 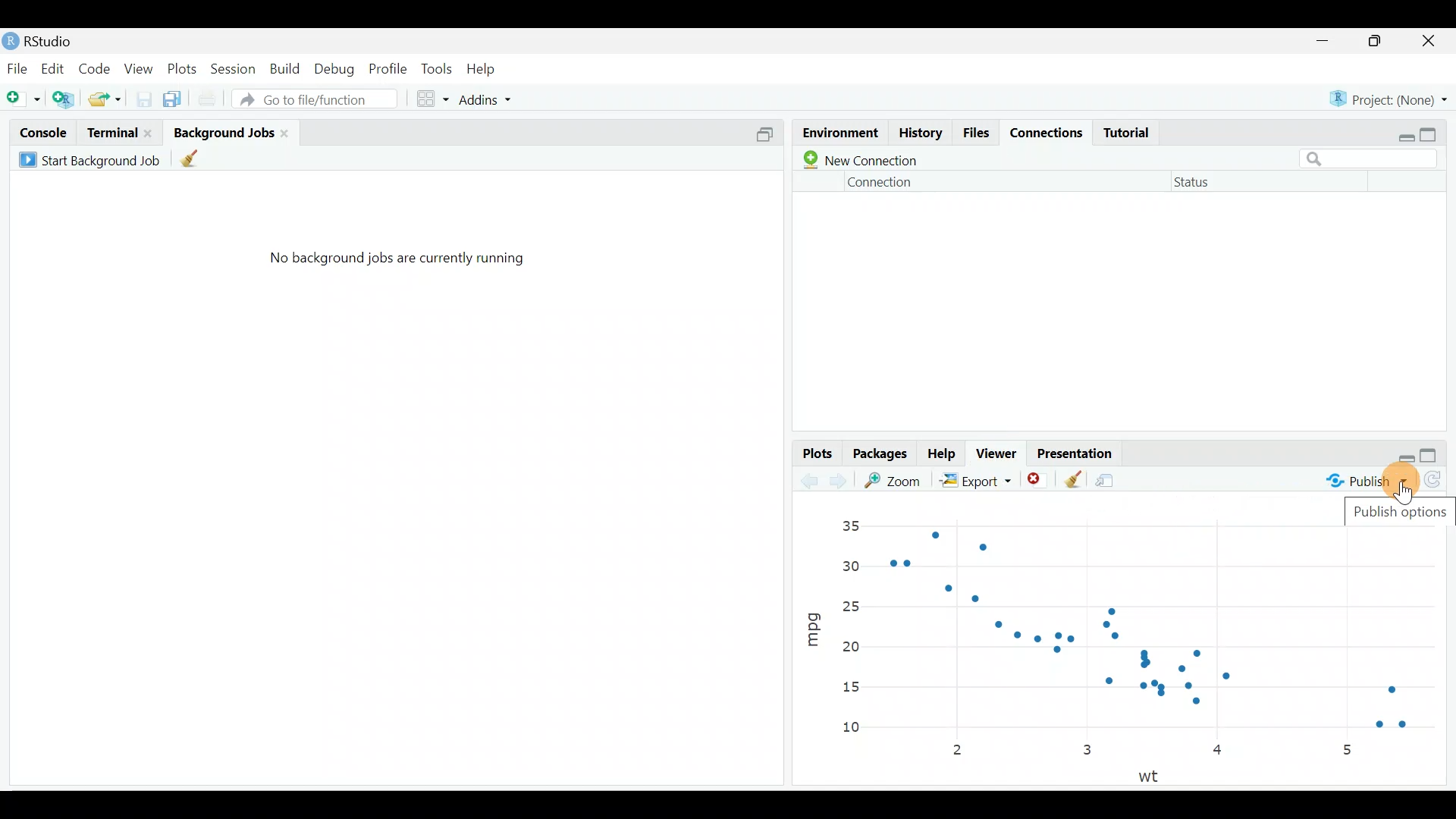 I want to click on Publish options, so click(x=1401, y=515).